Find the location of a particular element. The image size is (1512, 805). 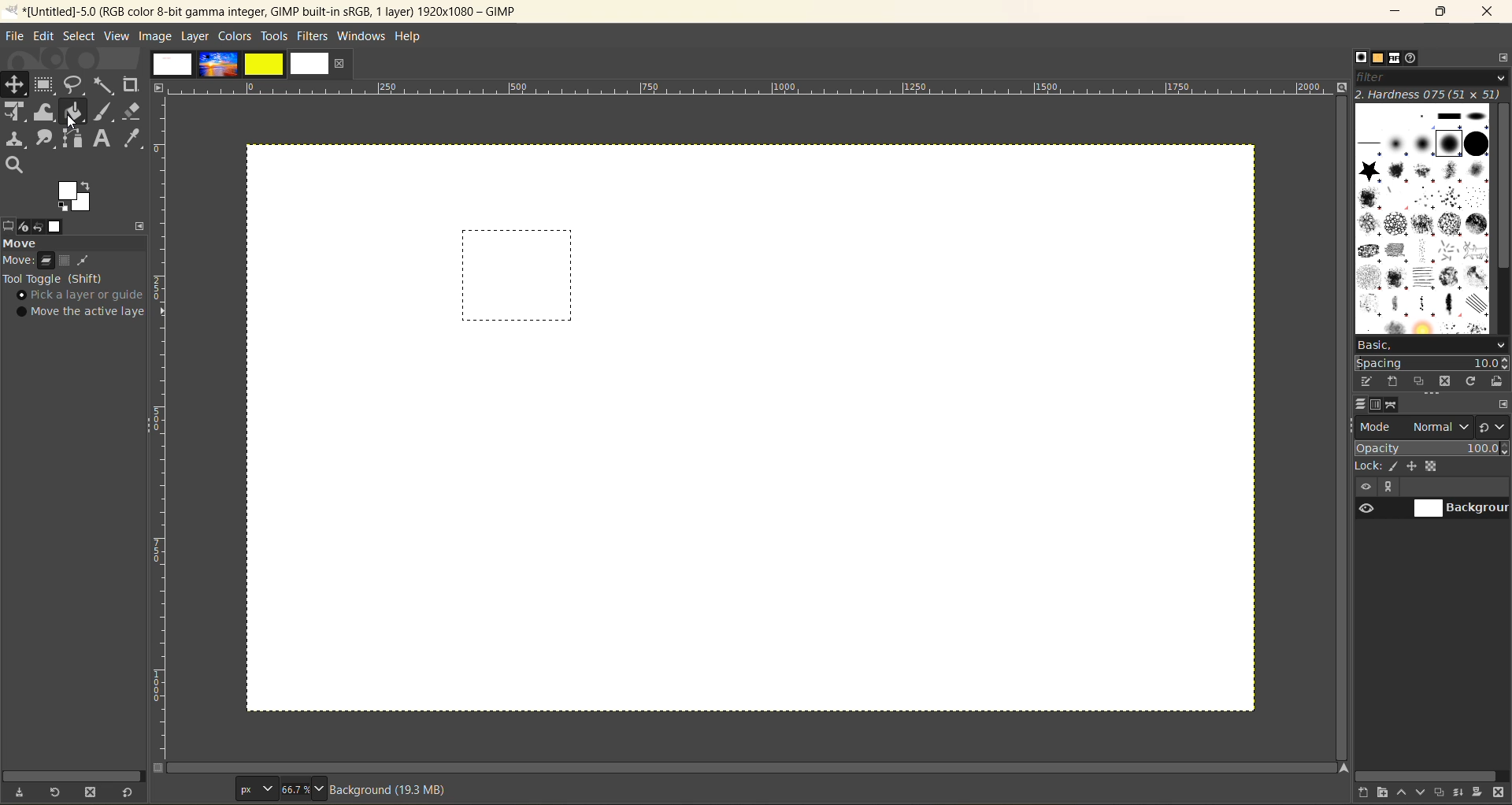

restore tool preset is located at coordinates (57, 793).